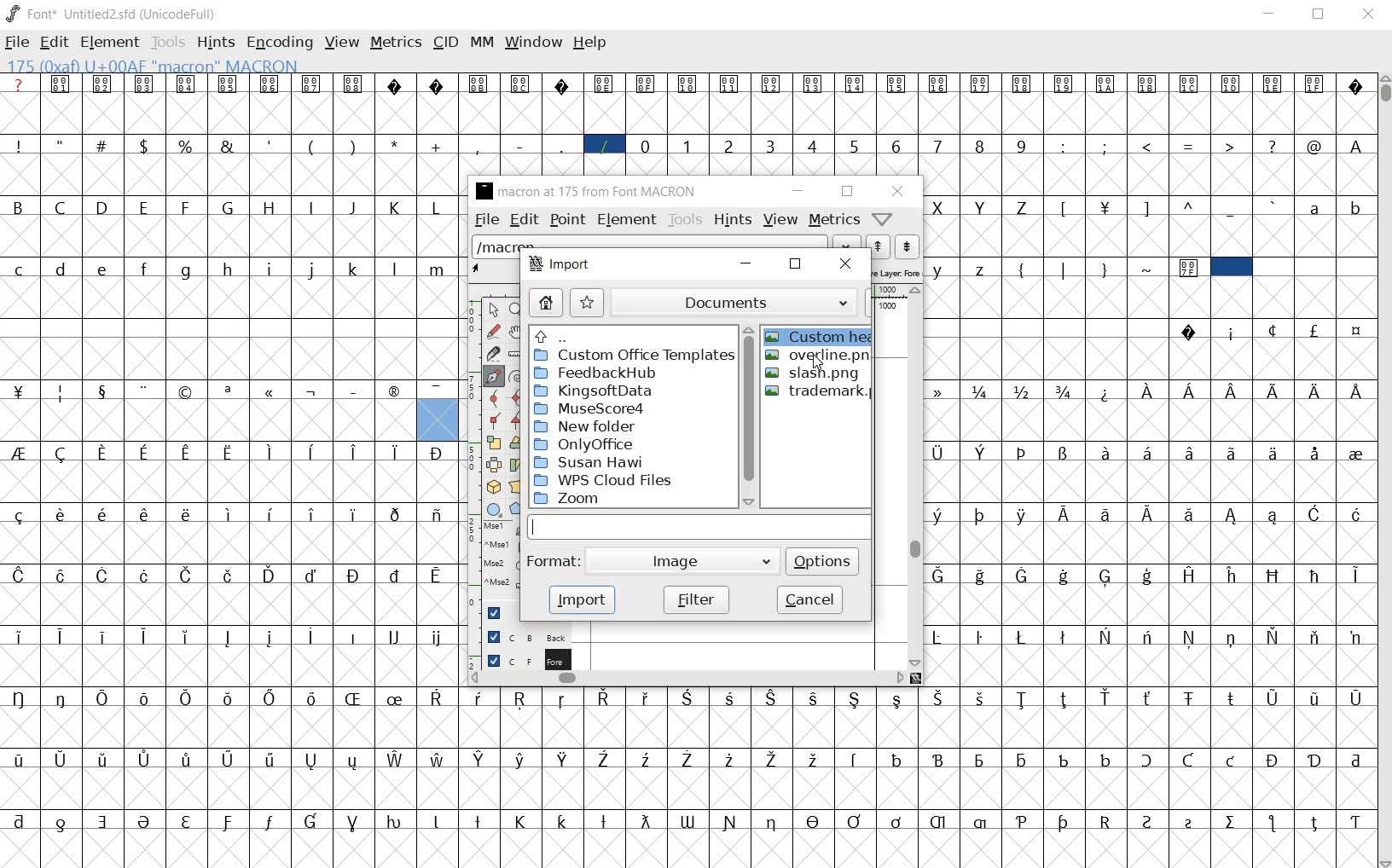 The width and height of the screenshot is (1392, 868). Describe the element at coordinates (554, 558) in the screenshot. I see `format` at that location.